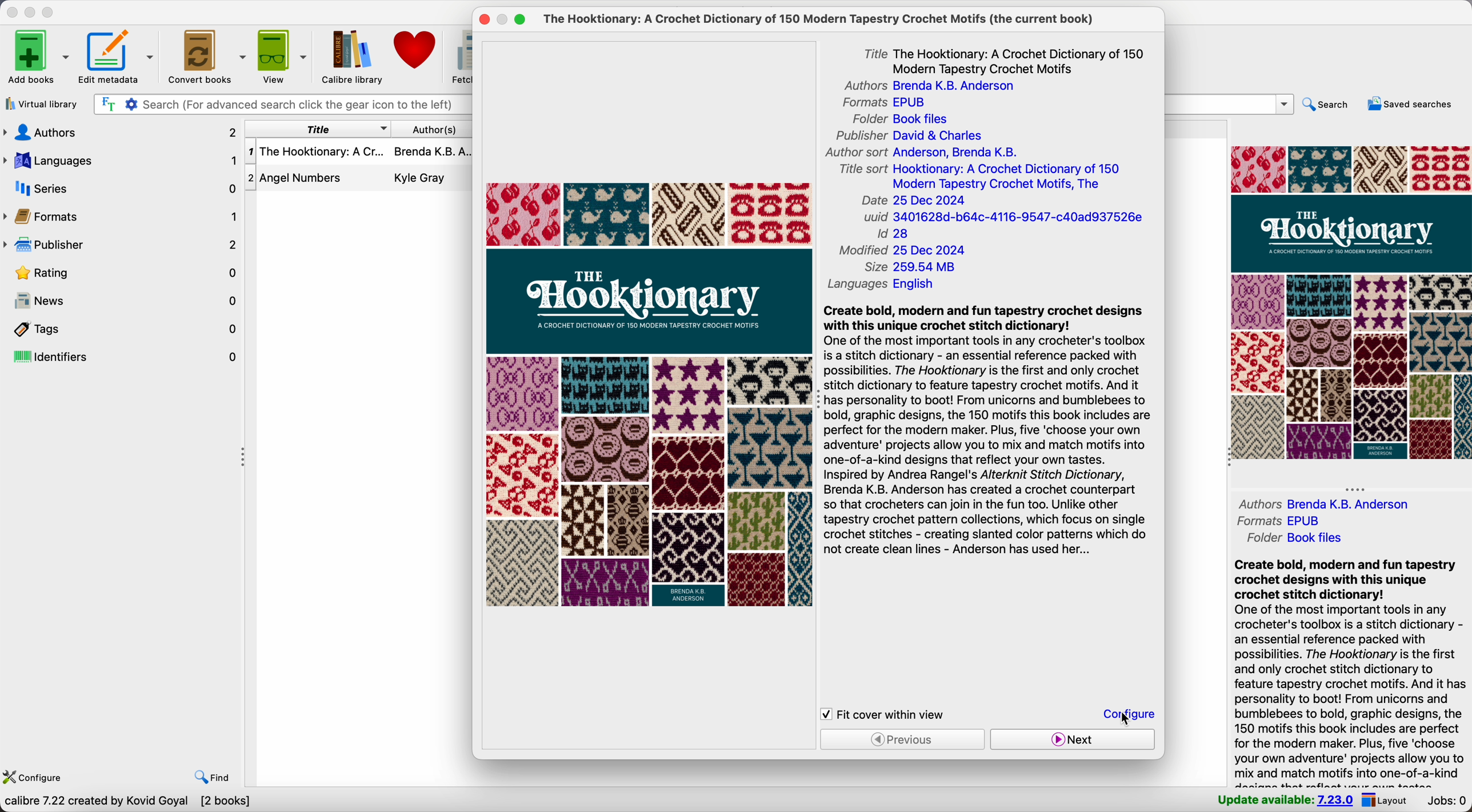  What do you see at coordinates (130, 274) in the screenshot?
I see `rating` at bounding box center [130, 274].